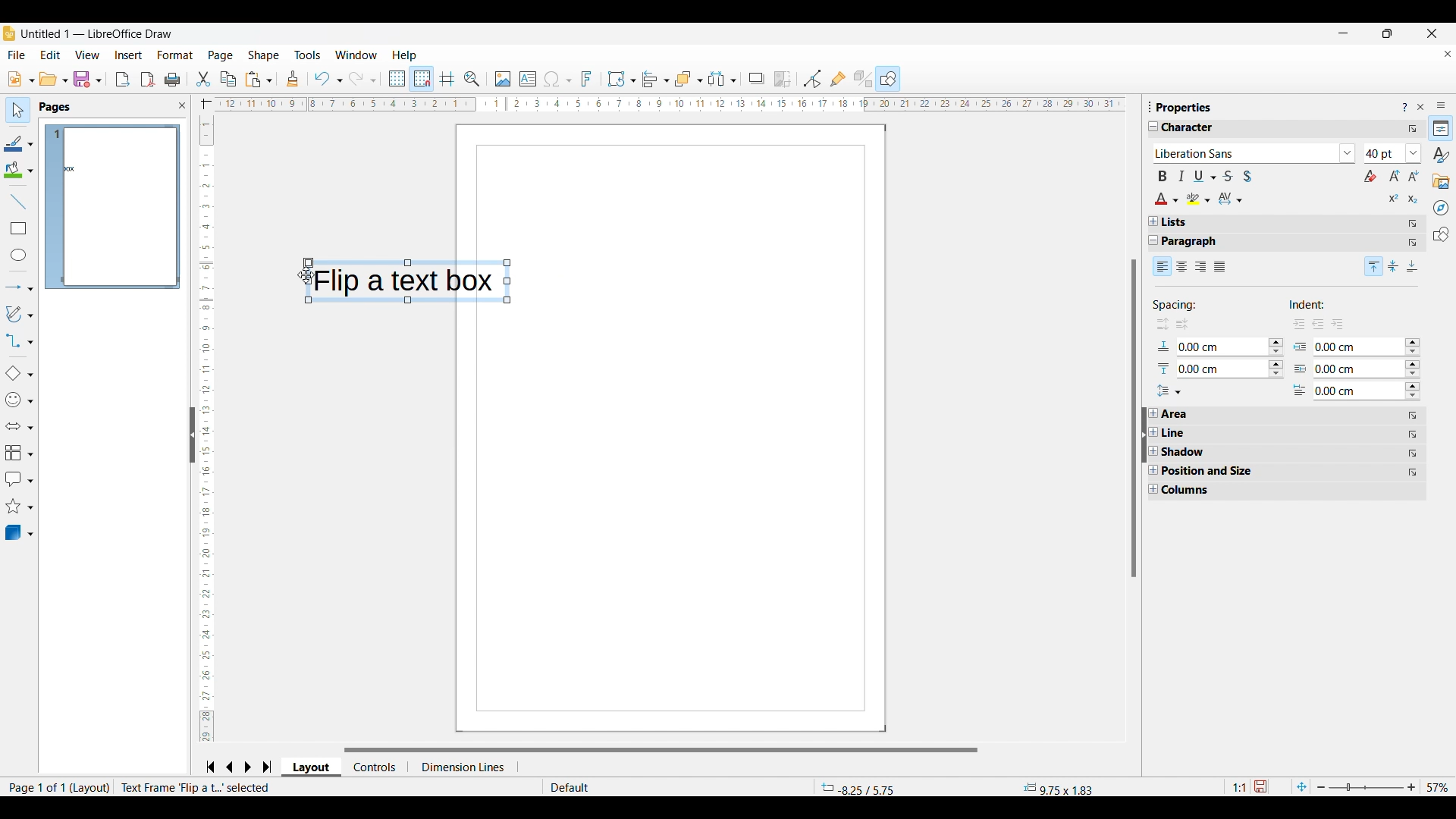  Describe the element at coordinates (1421, 107) in the screenshot. I see `Close sidebar` at that location.